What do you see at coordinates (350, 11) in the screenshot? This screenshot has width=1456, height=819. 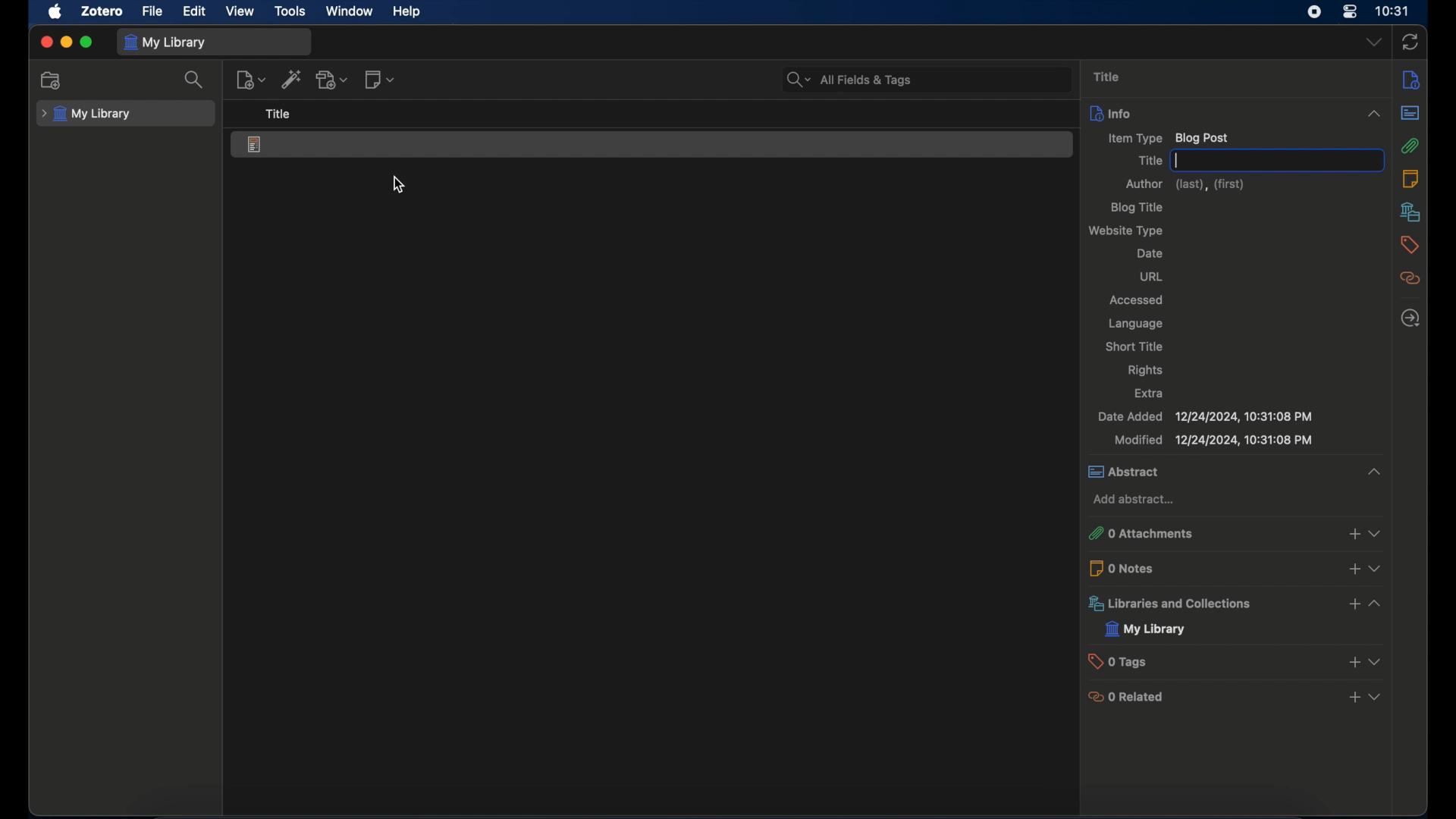 I see `window` at bounding box center [350, 11].